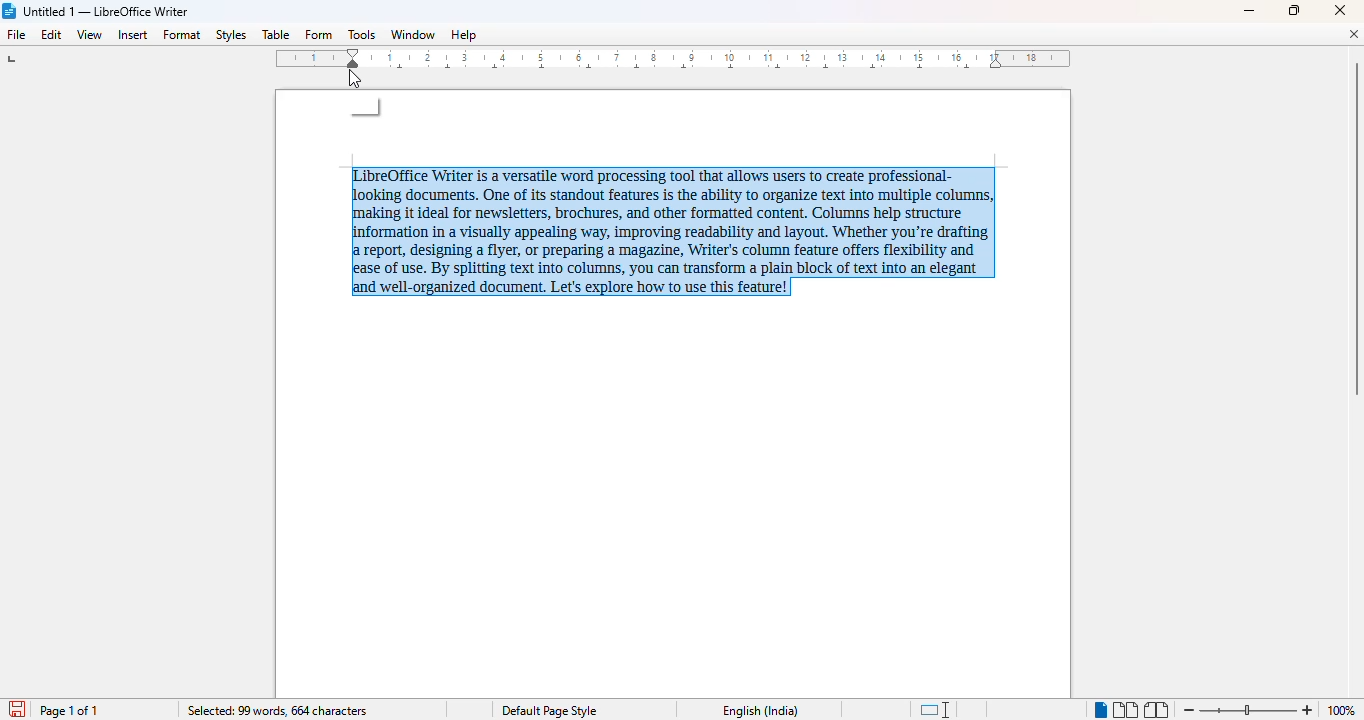 The width and height of the screenshot is (1364, 720). Describe the element at coordinates (133, 35) in the screenshot. I see `insert` at that location.